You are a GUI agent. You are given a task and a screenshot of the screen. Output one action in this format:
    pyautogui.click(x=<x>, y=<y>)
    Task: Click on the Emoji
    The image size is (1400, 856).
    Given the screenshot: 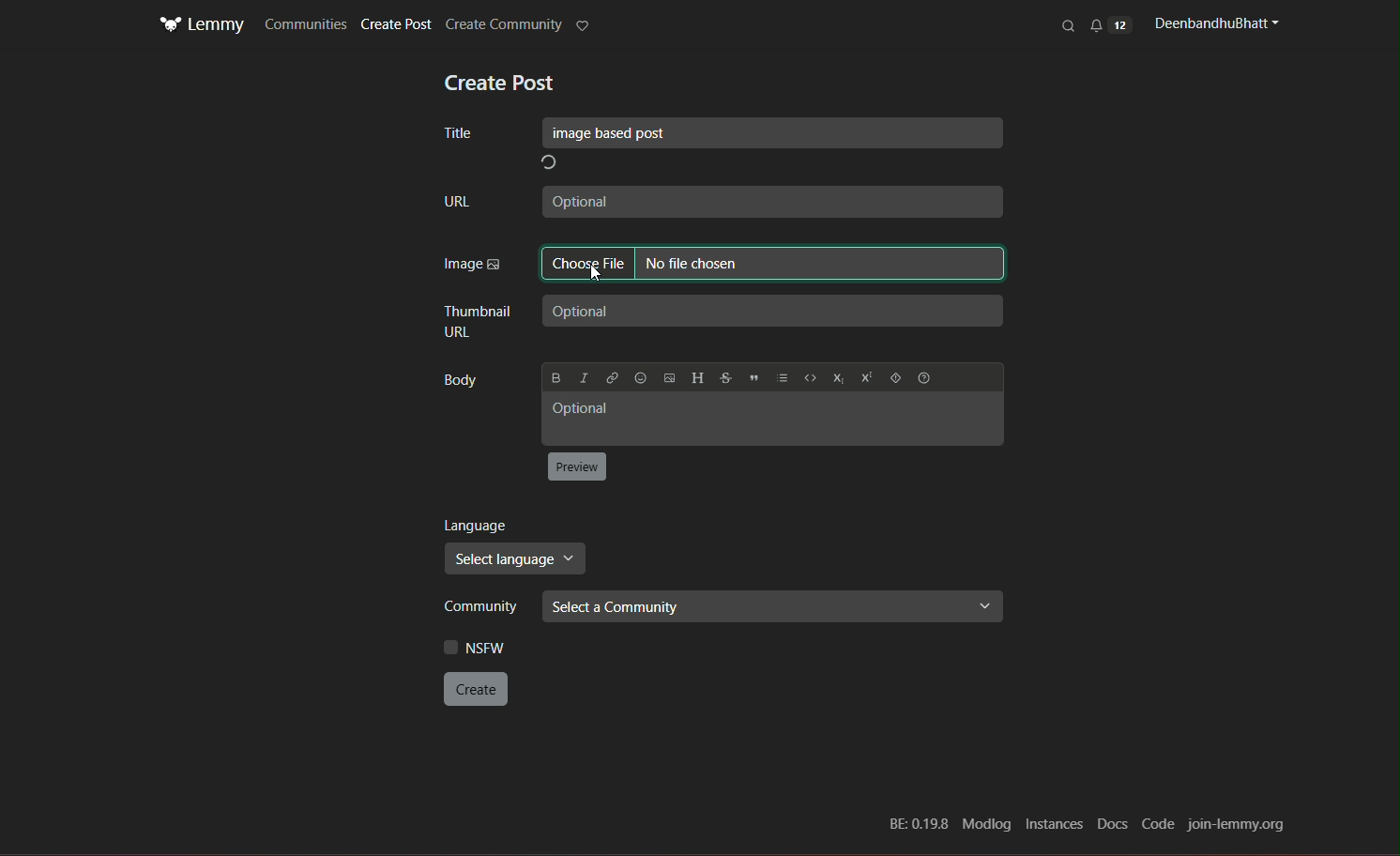 What is the action you would take?
    pyautogui.click(x=640, y=374)
    